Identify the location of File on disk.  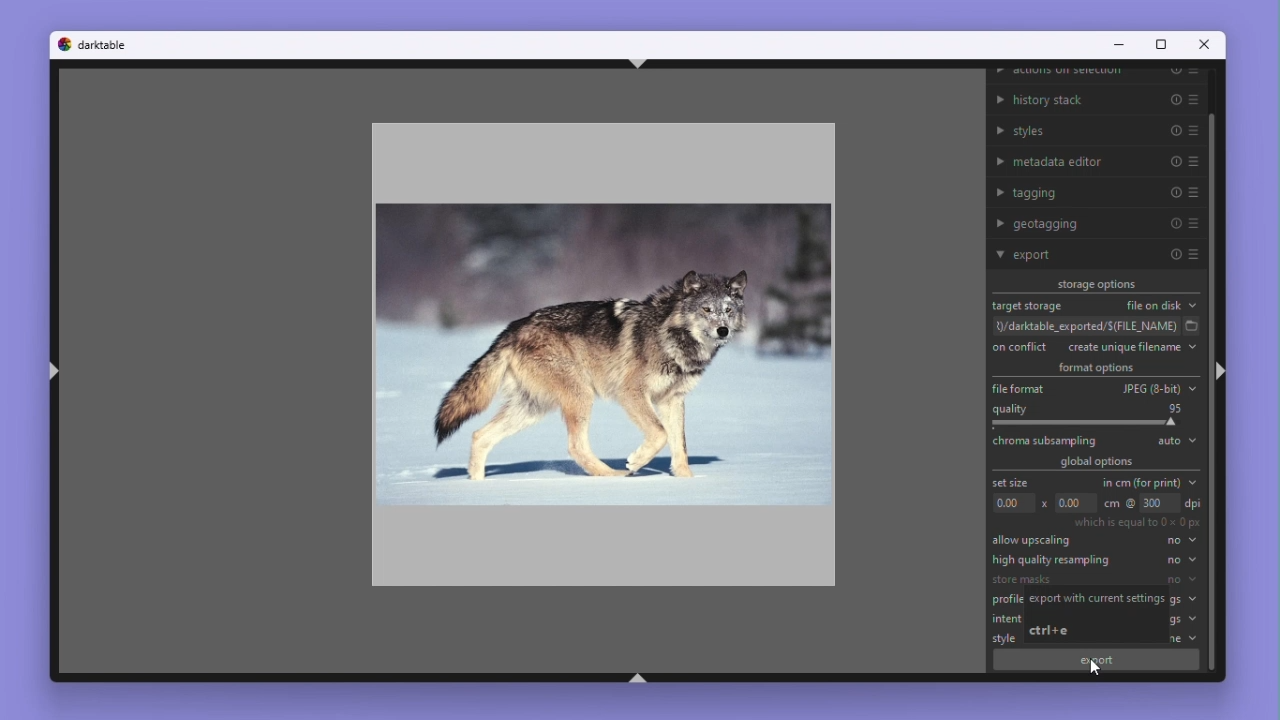
(1164, 304).